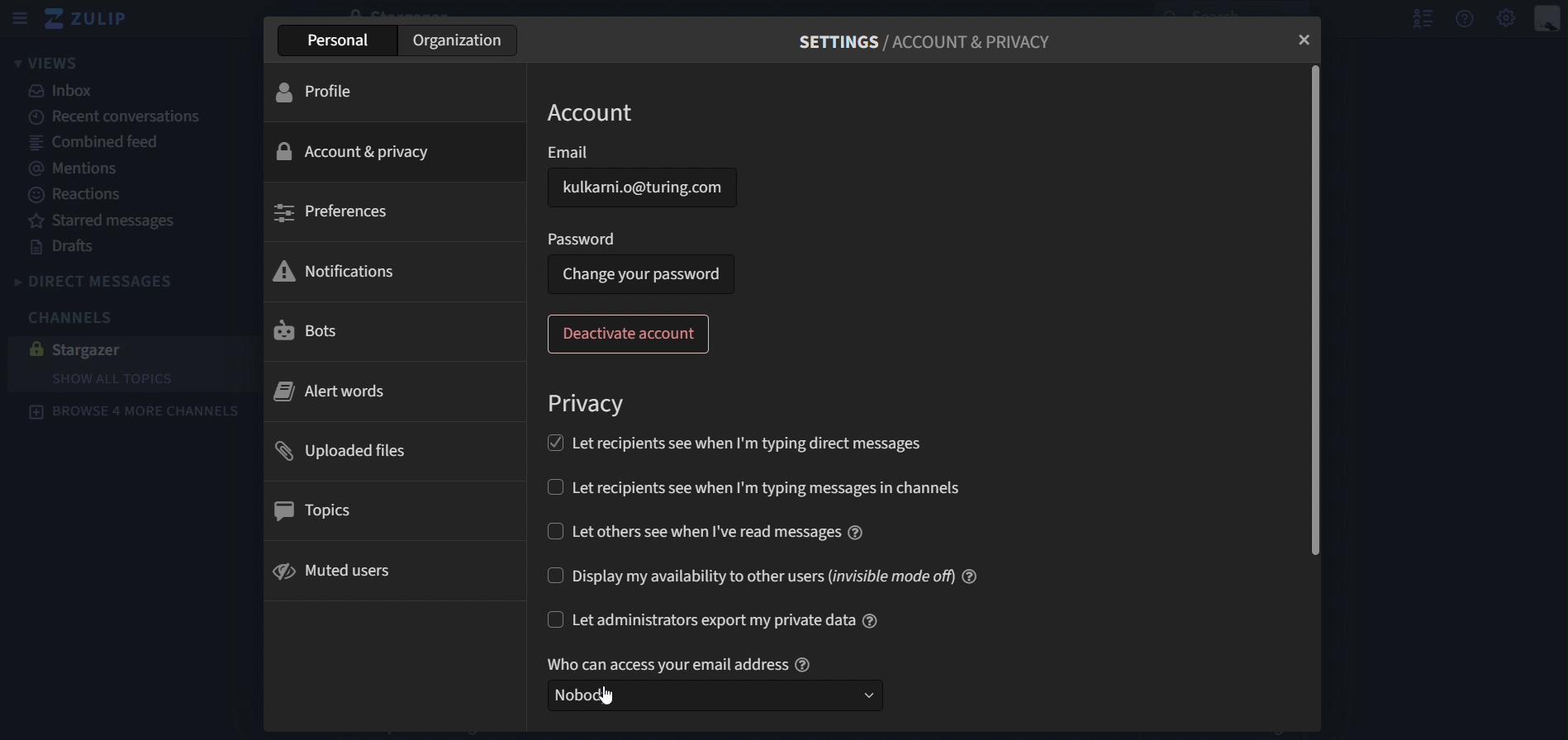 The height and width of the screenshot is (740, 1568). What do you see at coordinates (340, 40) in the screenshot?
I see `personal` at bounding box center [340, 40].